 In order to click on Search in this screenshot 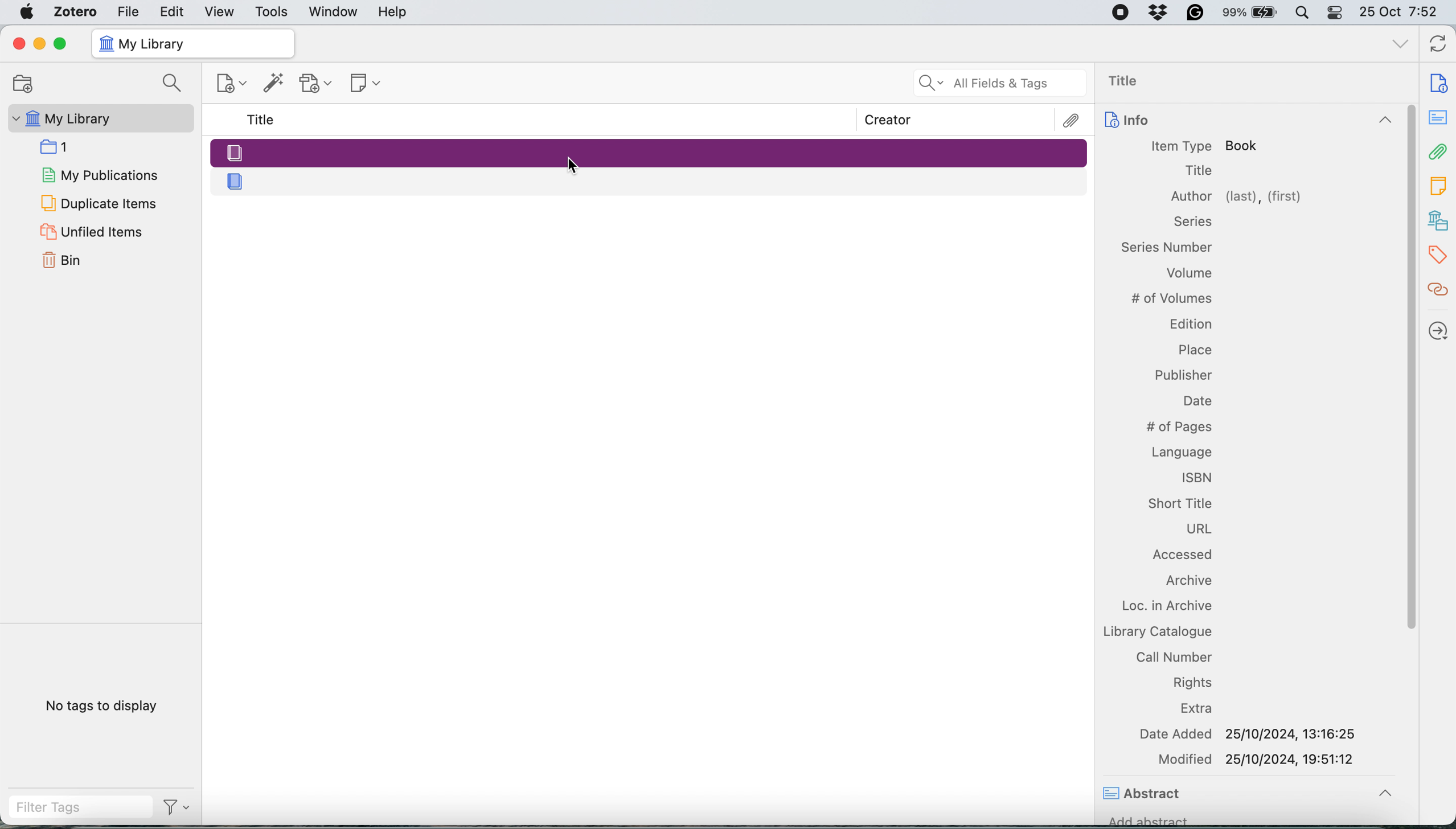, I will do `click(175, 84)`.